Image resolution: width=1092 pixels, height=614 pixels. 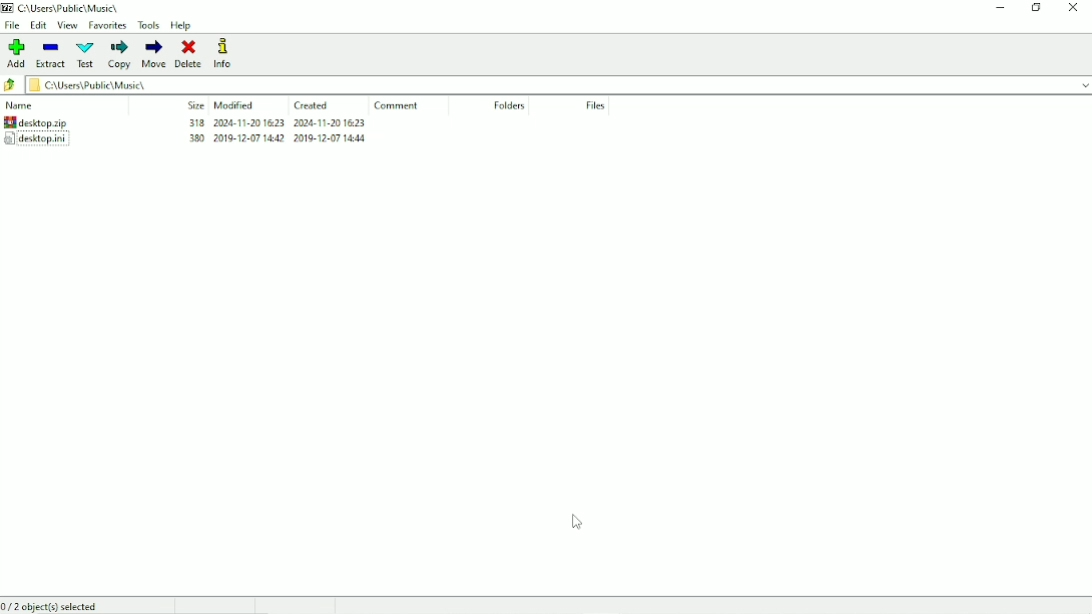 What do you see at coordinates (154, 54) in the screenshot?
I see `Move` at bounding box center [154, 54].